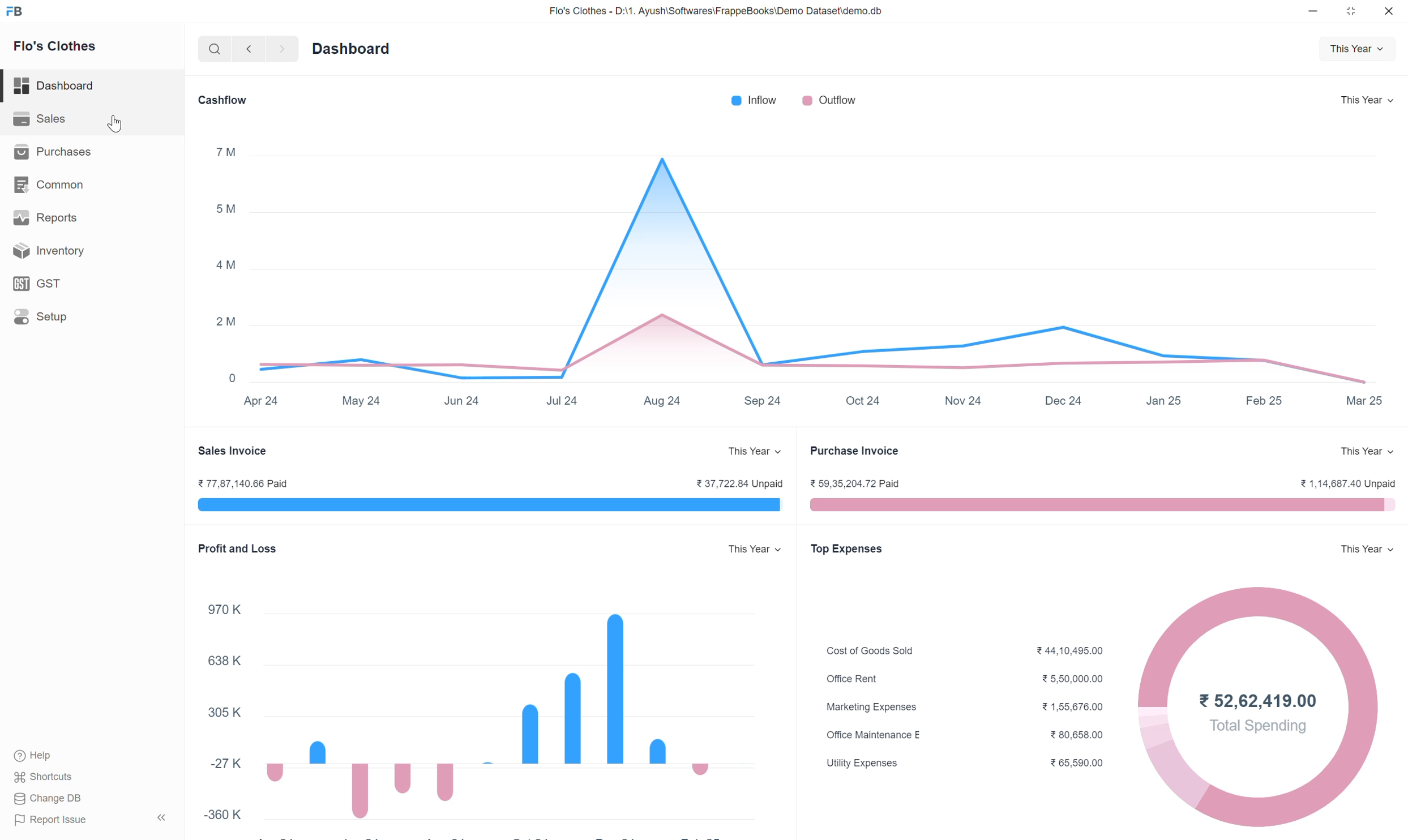 Image resolution: width=1408 pixels, height=840 pixels. I want to click on 4M, so click(219, 265).